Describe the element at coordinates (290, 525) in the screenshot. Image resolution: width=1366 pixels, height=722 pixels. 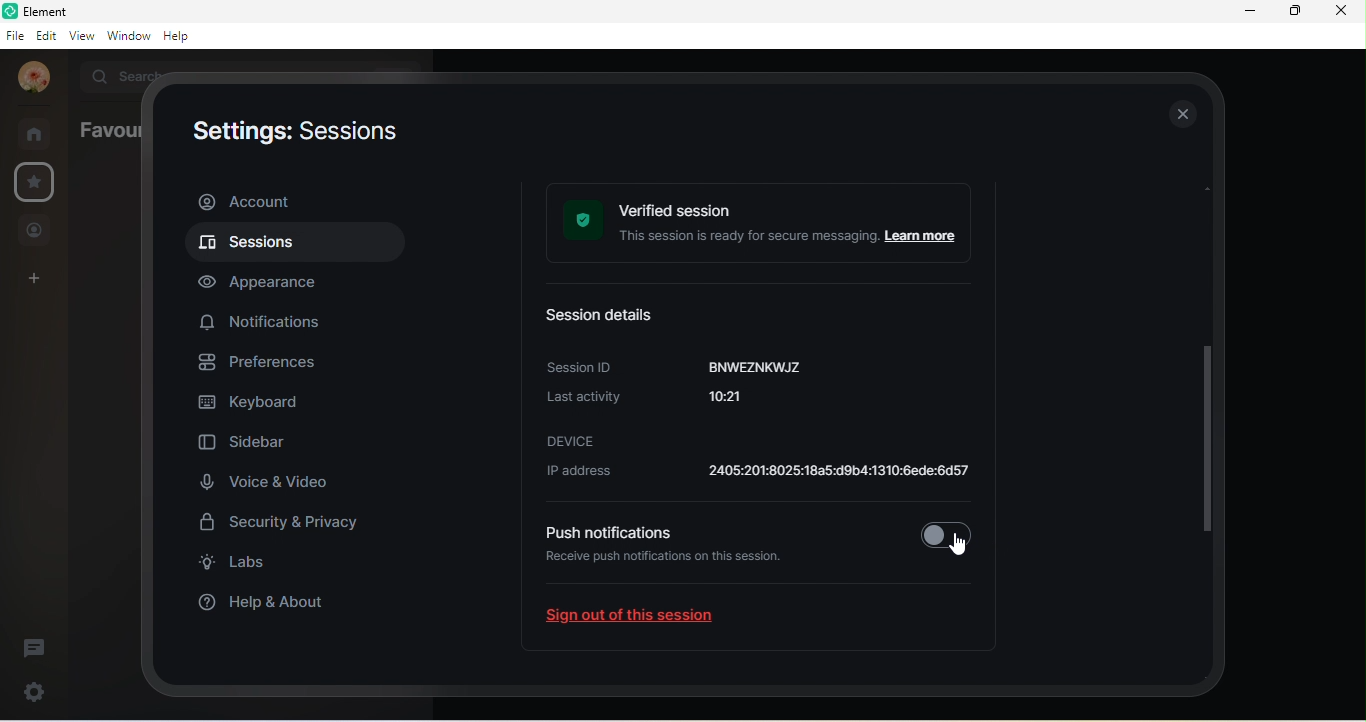
I see `security and privacy` at that location.